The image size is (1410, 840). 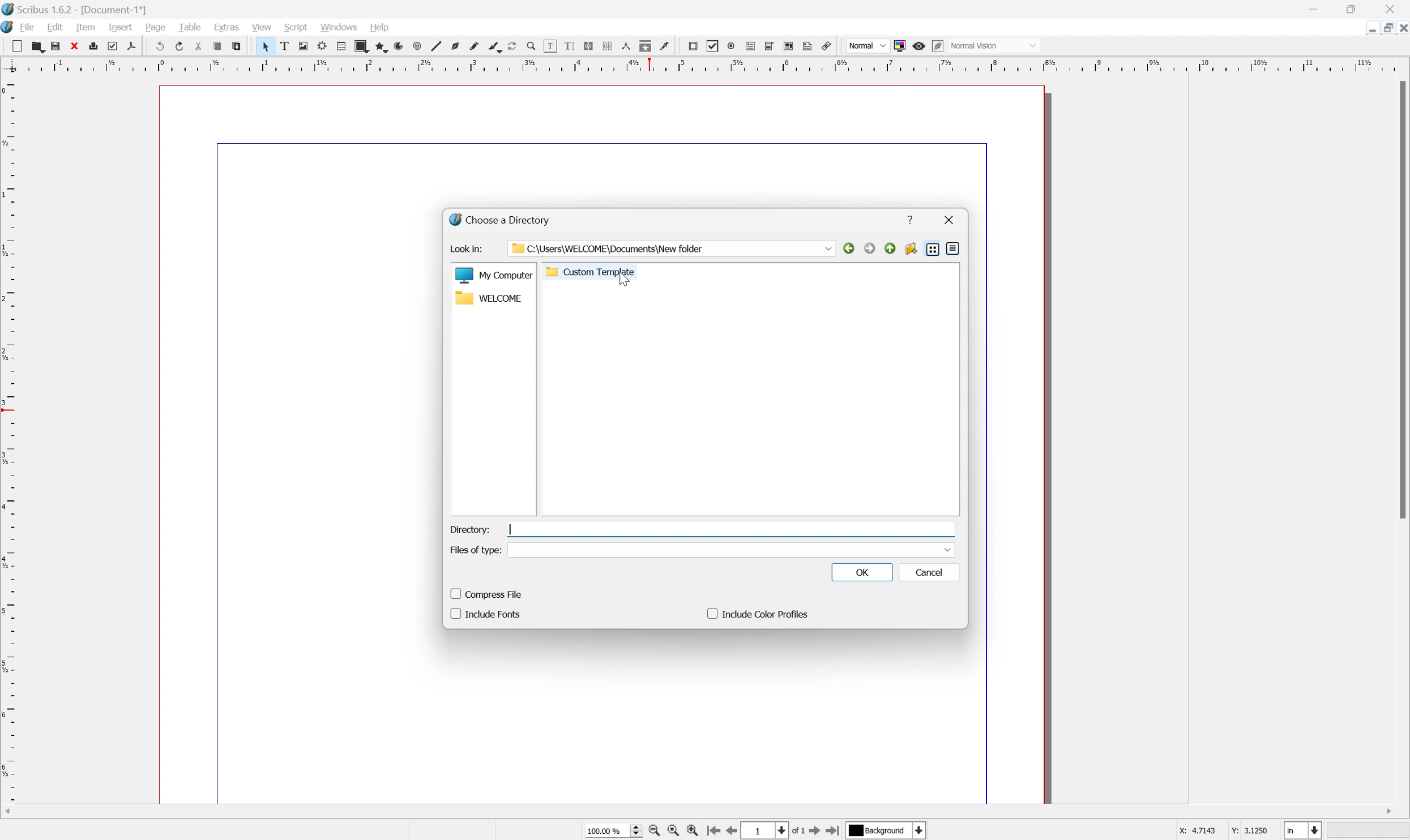 What do you see at coordinates (732, 832) in the screenshot?
I see `Go to previous page` at bounding box center [732, 832].